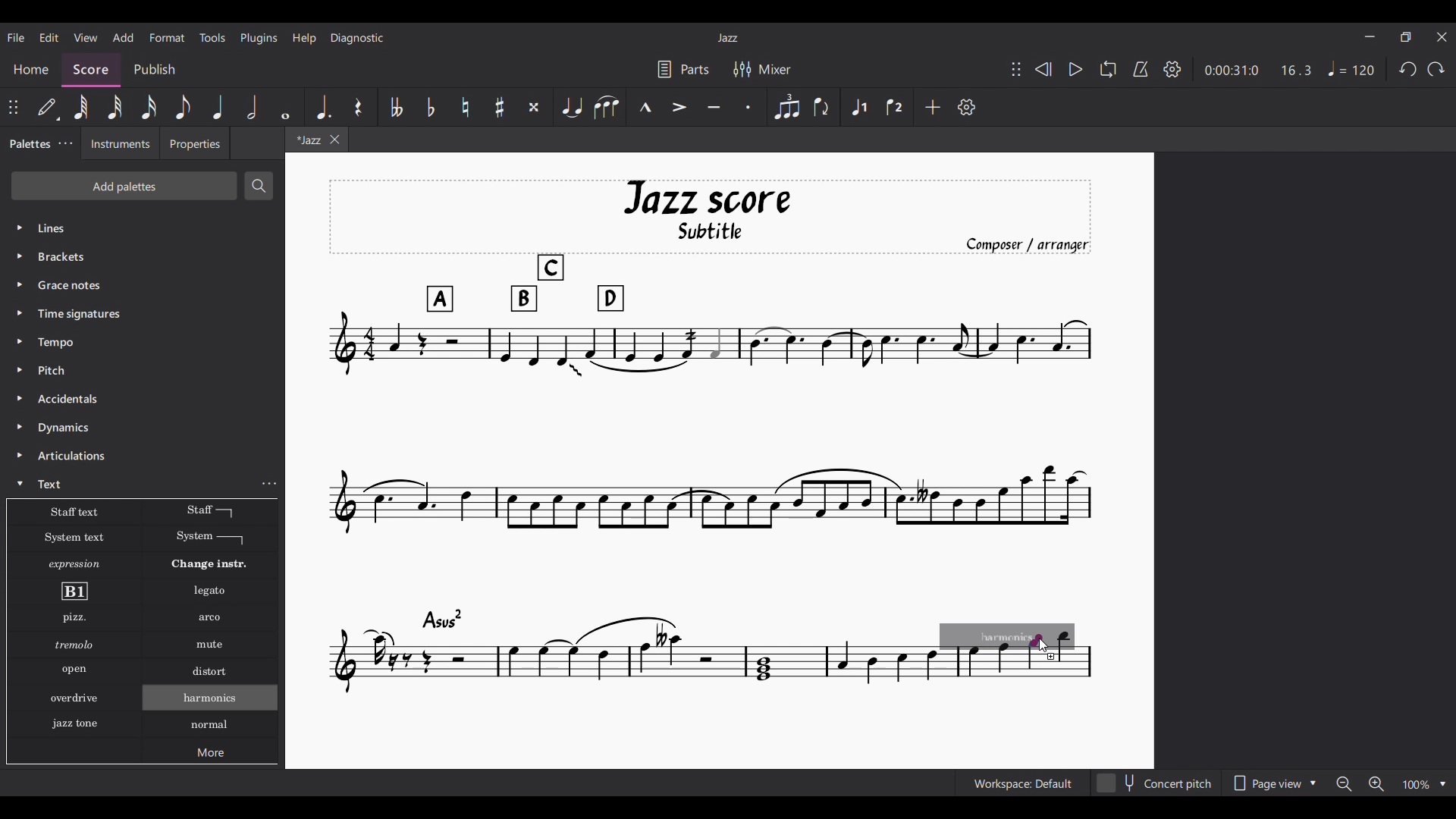  What do you see at coordinates (54, 484) in the screenshot?
I see `Test` at bounding box center [54, 484].